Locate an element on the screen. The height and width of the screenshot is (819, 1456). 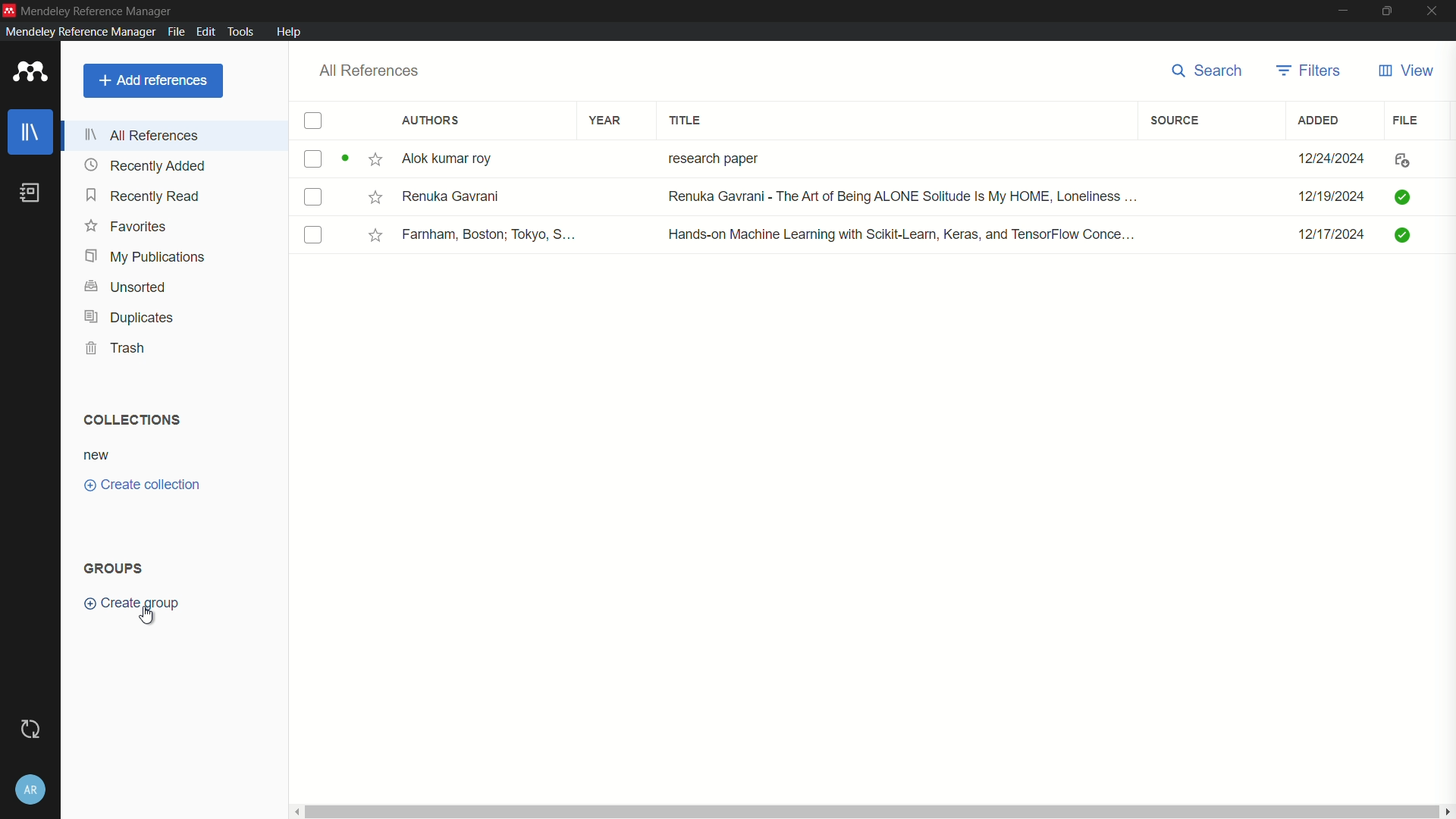
maximize is located at coordinates (1388, 11).